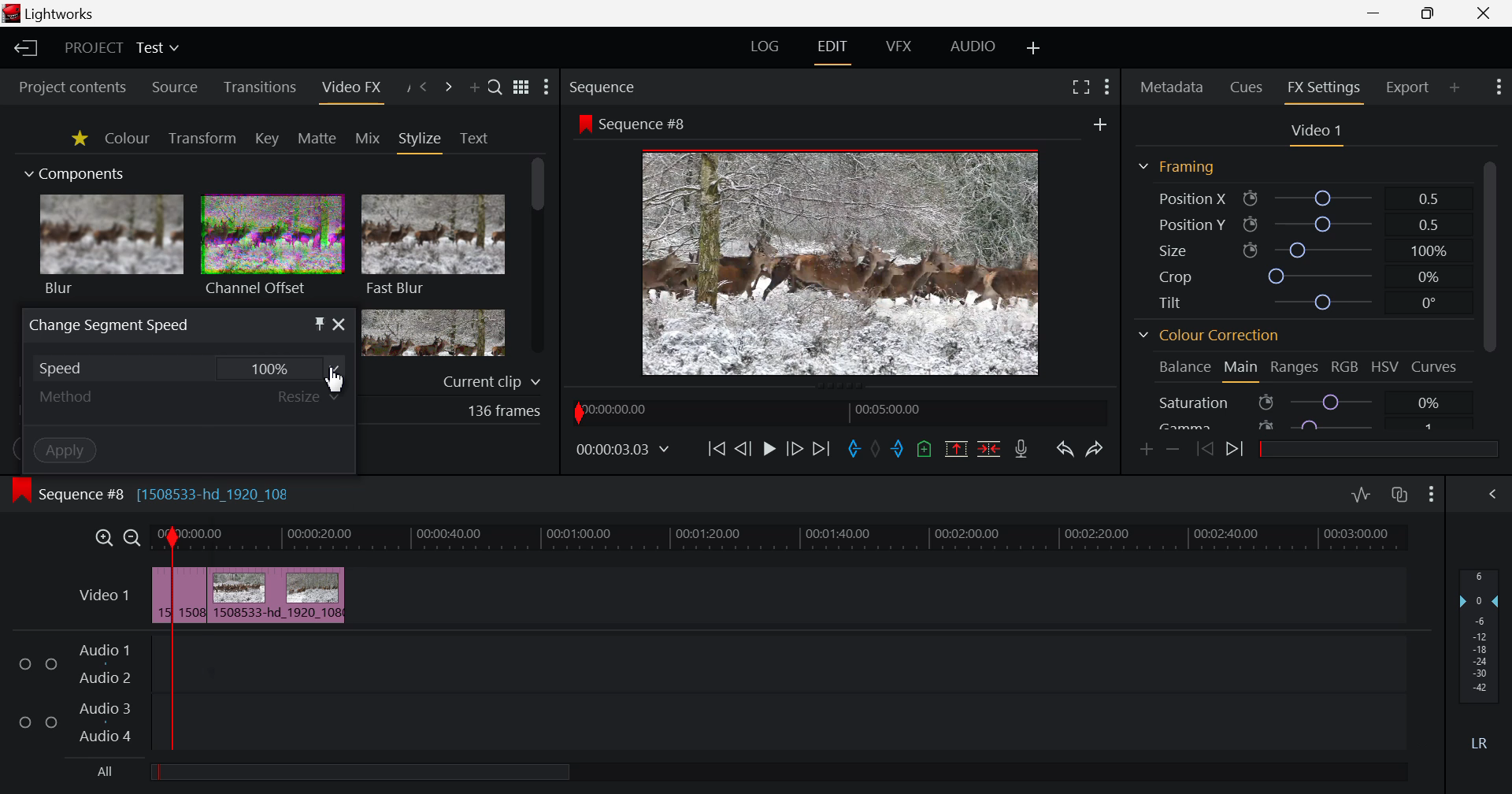 This screenshot has width=1512, height=794. I want to click on First Clip Cut, so click(174, 599).